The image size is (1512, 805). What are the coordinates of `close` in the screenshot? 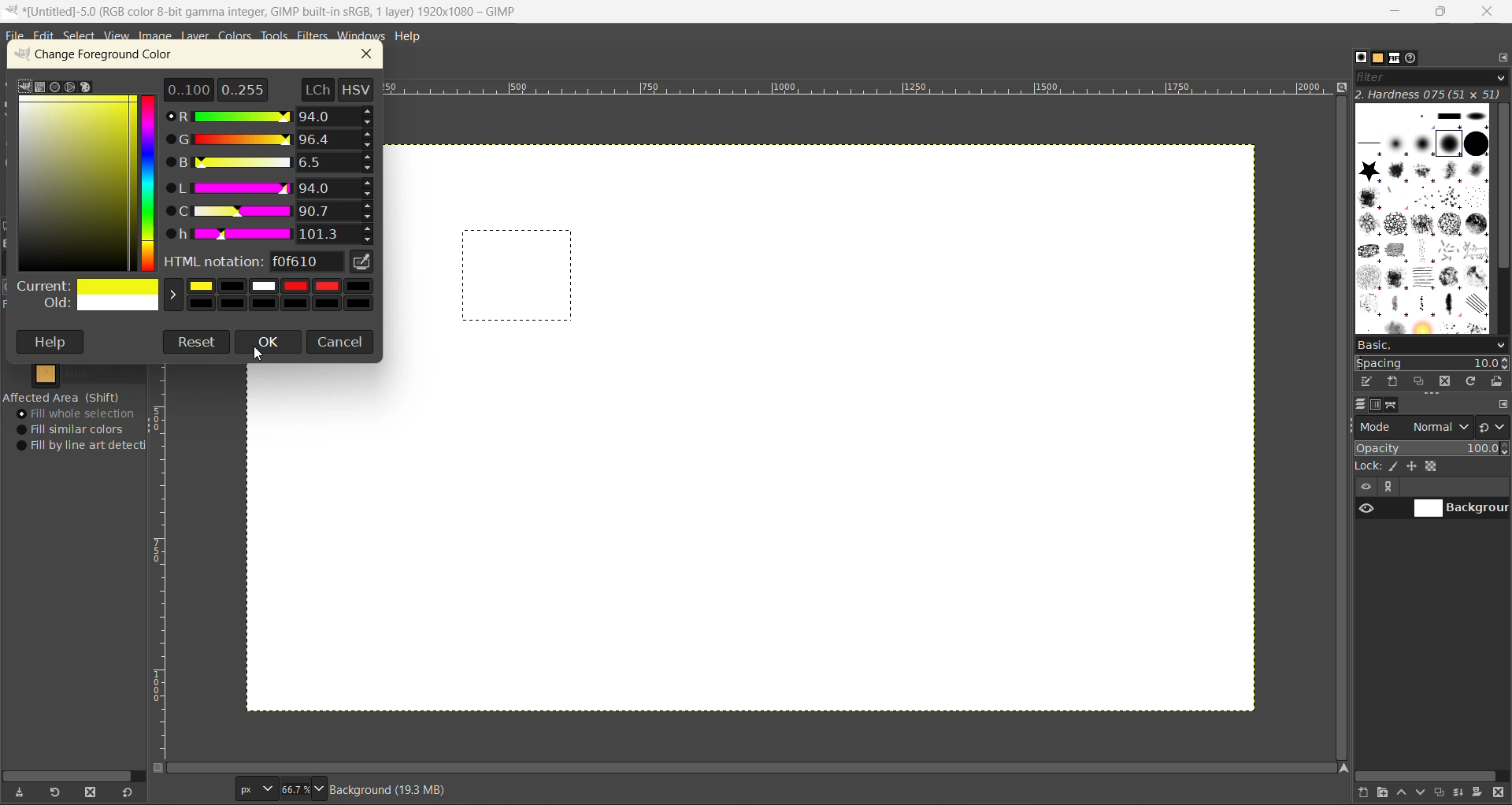 It's located at (1491, 11).